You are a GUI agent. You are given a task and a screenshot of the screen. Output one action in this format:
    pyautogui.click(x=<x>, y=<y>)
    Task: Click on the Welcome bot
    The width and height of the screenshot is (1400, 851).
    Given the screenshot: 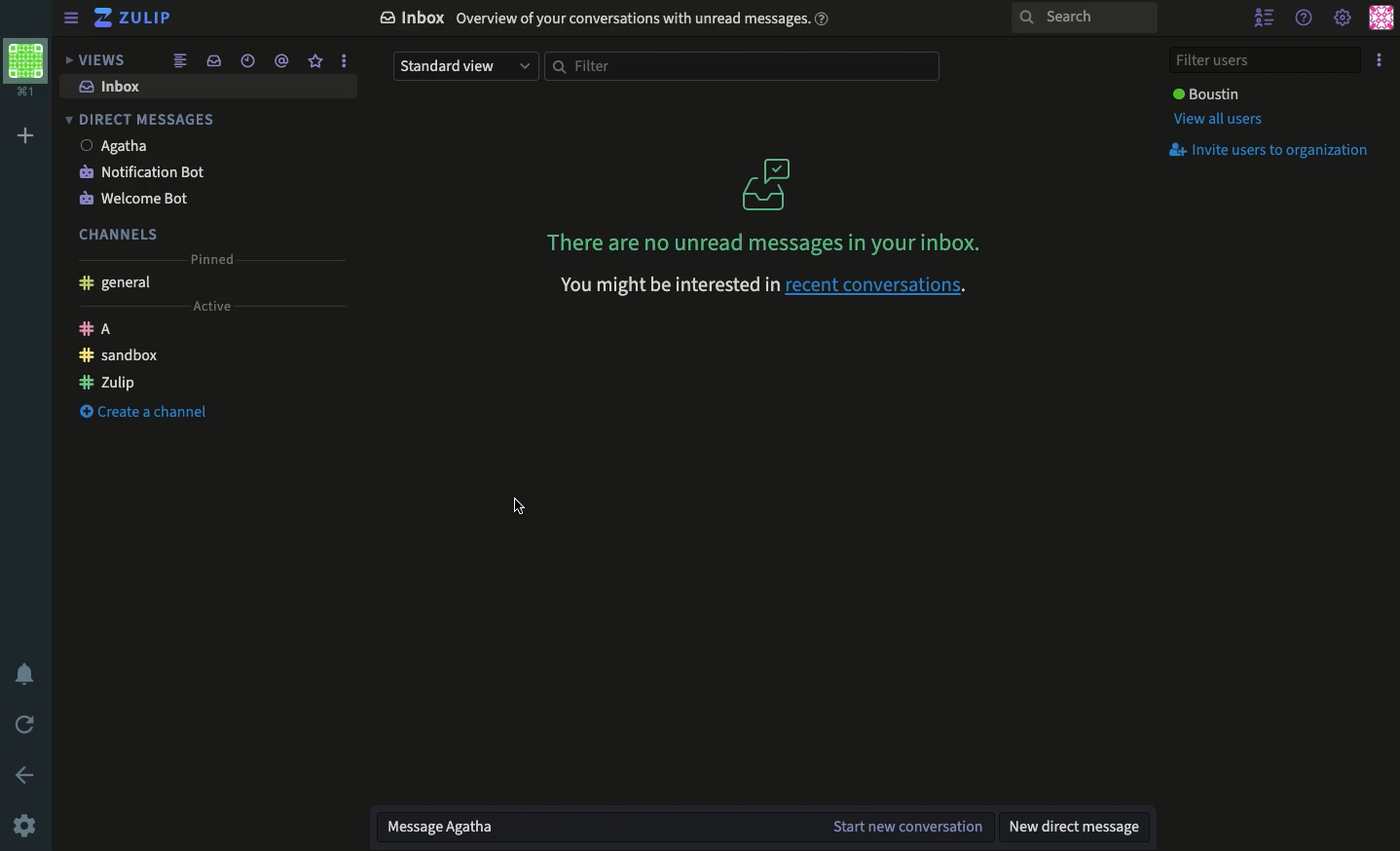 What is the action you would take?
    pyautogui.click(x=138, y=198)
    